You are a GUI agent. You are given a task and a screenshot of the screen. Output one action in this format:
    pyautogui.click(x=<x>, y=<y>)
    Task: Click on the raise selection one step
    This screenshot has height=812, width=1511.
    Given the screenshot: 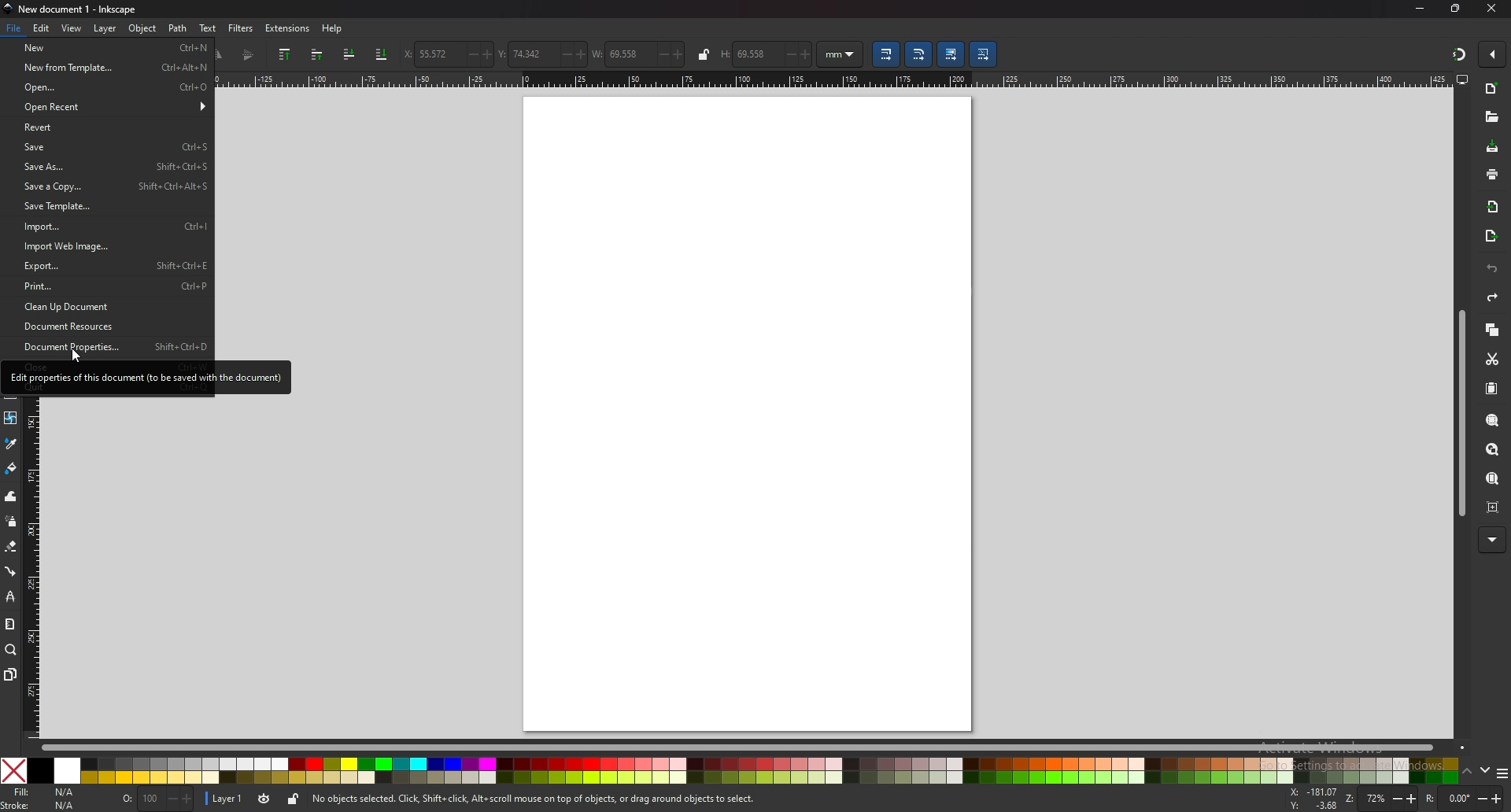 What is the action you would take?
    pyautogui.click(x=319, y=55)
    